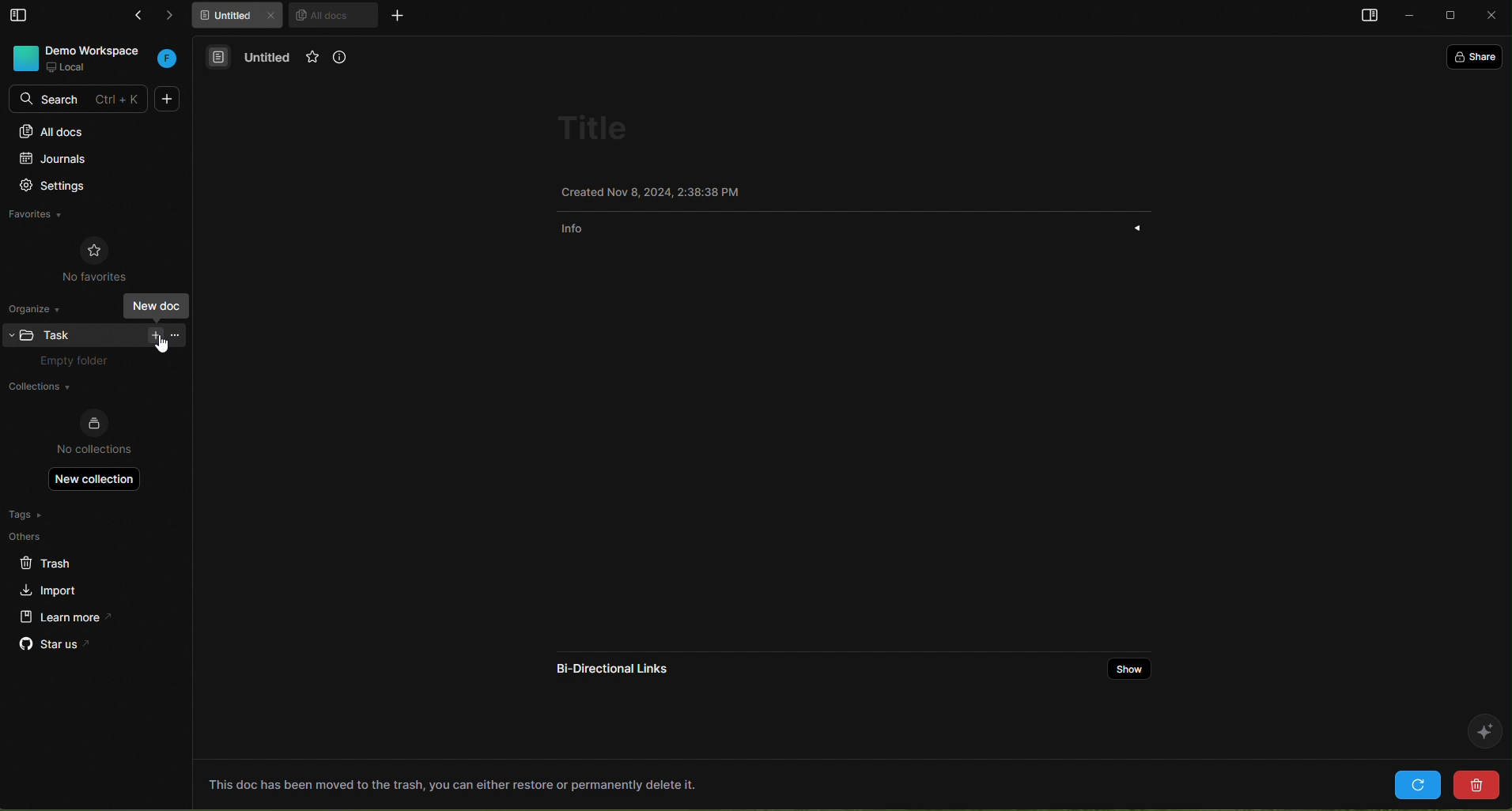 This screenshot has width=1512, height=811. I want to click on journals, so click(85, 160).